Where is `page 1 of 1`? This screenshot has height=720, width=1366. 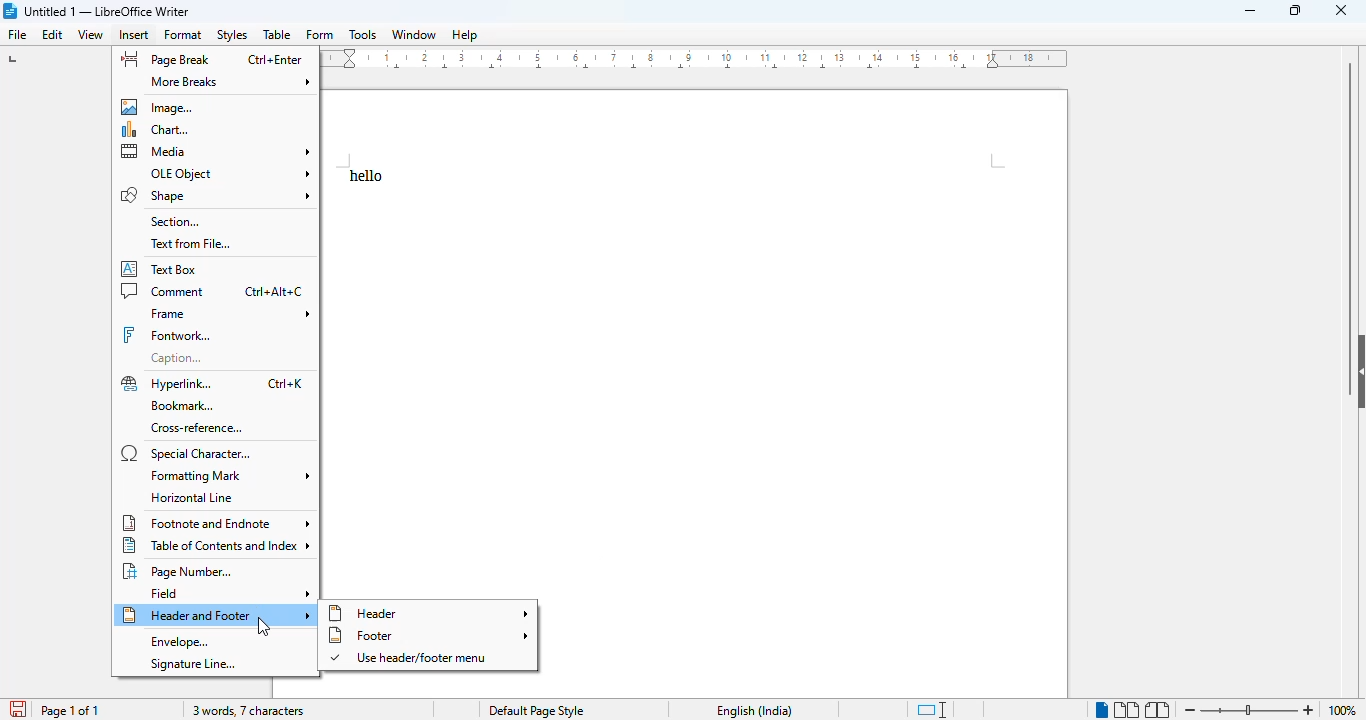
page 1 of 1 is located at coordinates (70, 711).